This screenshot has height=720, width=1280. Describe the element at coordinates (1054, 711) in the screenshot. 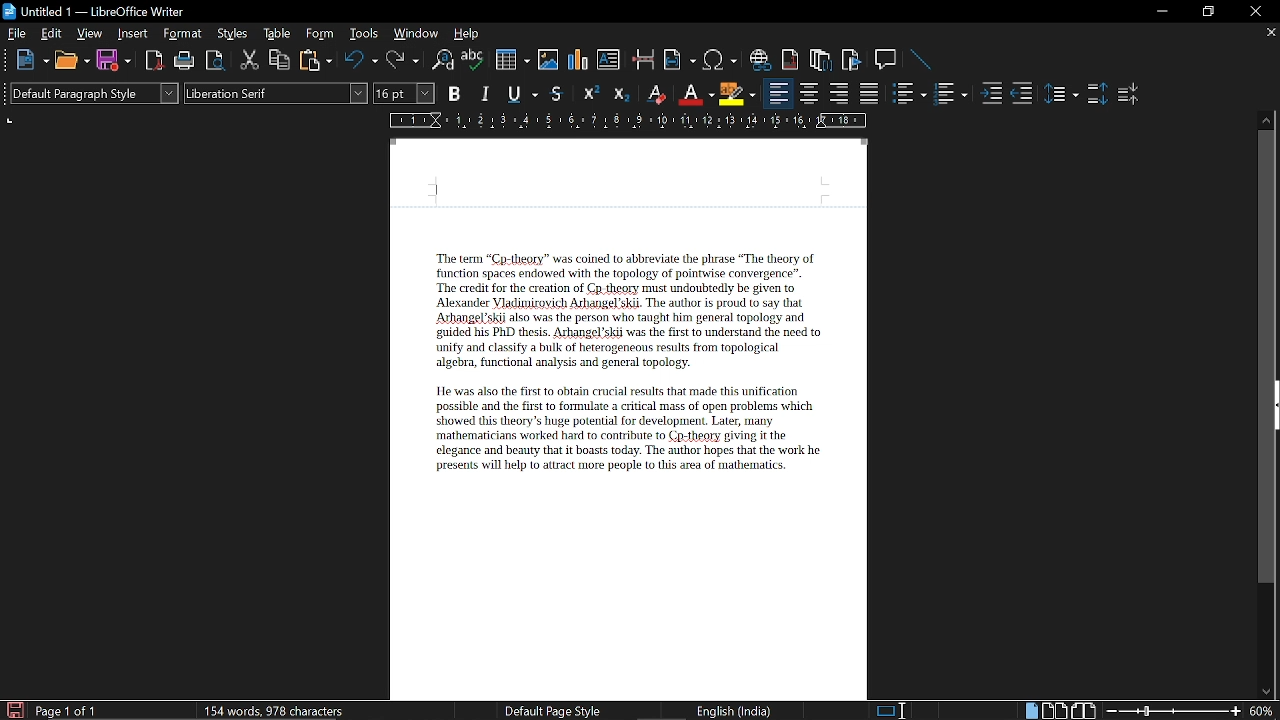

I see `Multiple page view` at that location.